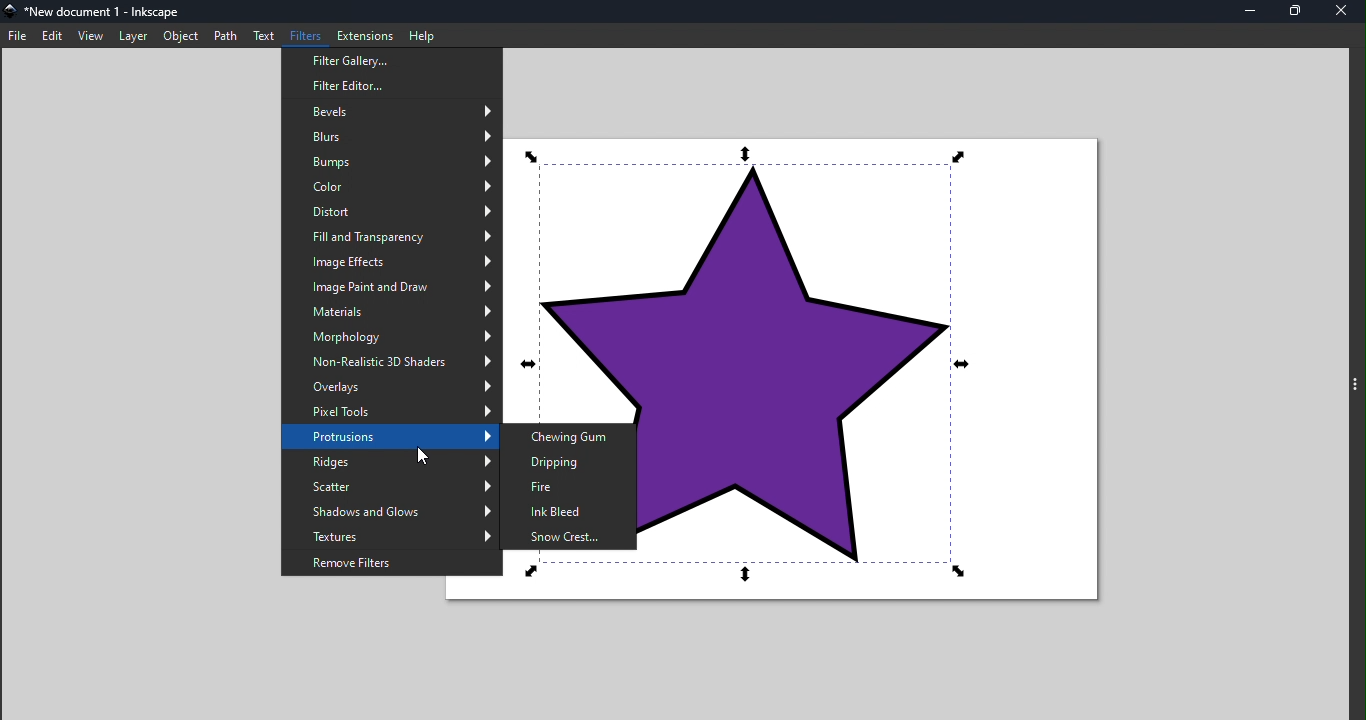 The width and height of the screenshot is (1366, 720). I want to click on Distort, so click(391, 213).